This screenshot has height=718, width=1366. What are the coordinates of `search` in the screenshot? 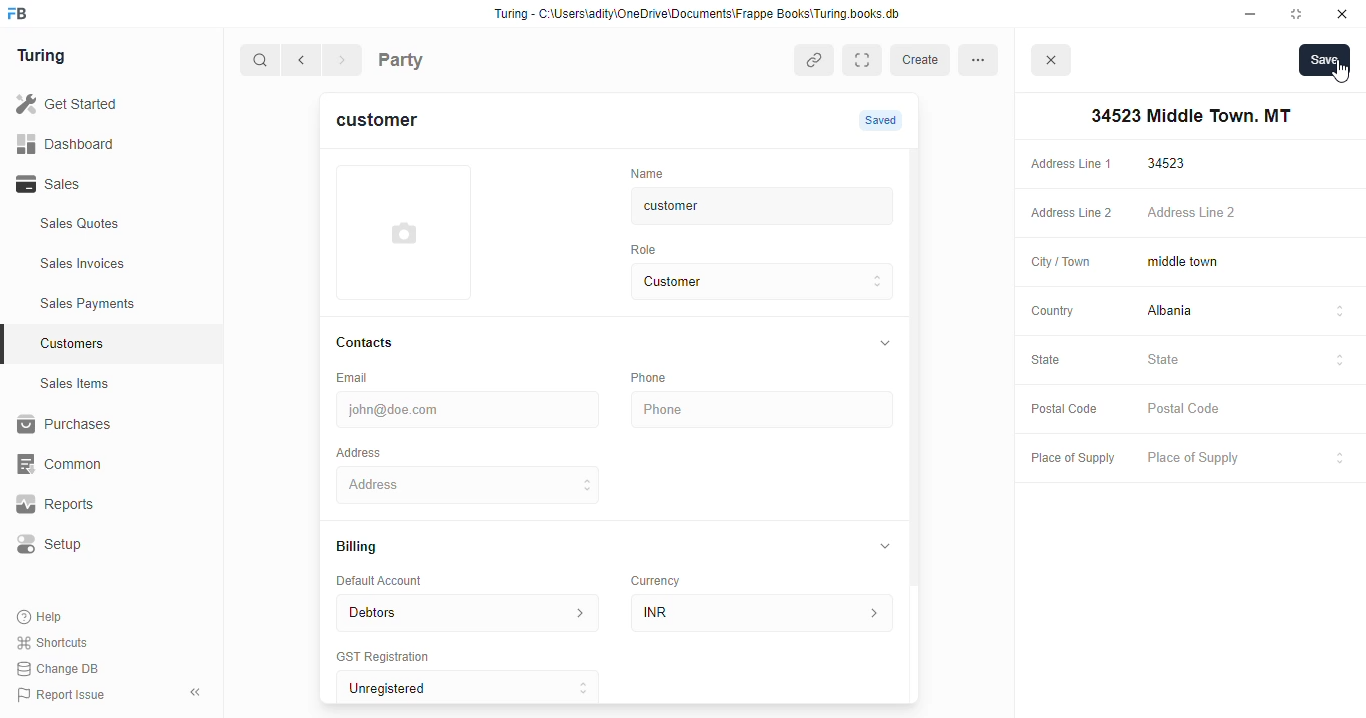 It's located at (261, 62).